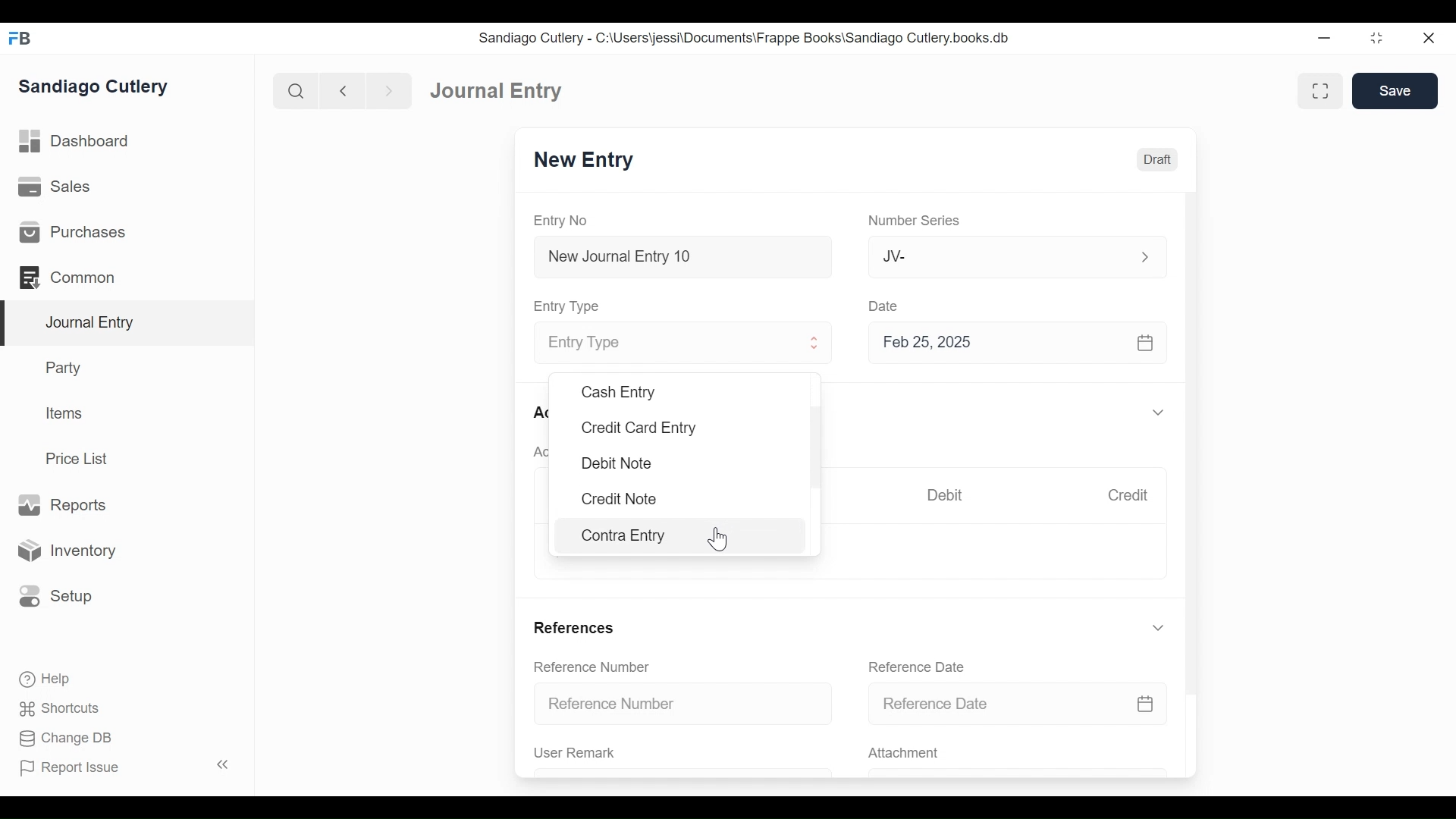 Image resolution: width=1456 pixels, height=819 pixels. What do you see at coordinates (61, 504) in the screenshot?
I see `Reports` at bounding box center [61, 504].